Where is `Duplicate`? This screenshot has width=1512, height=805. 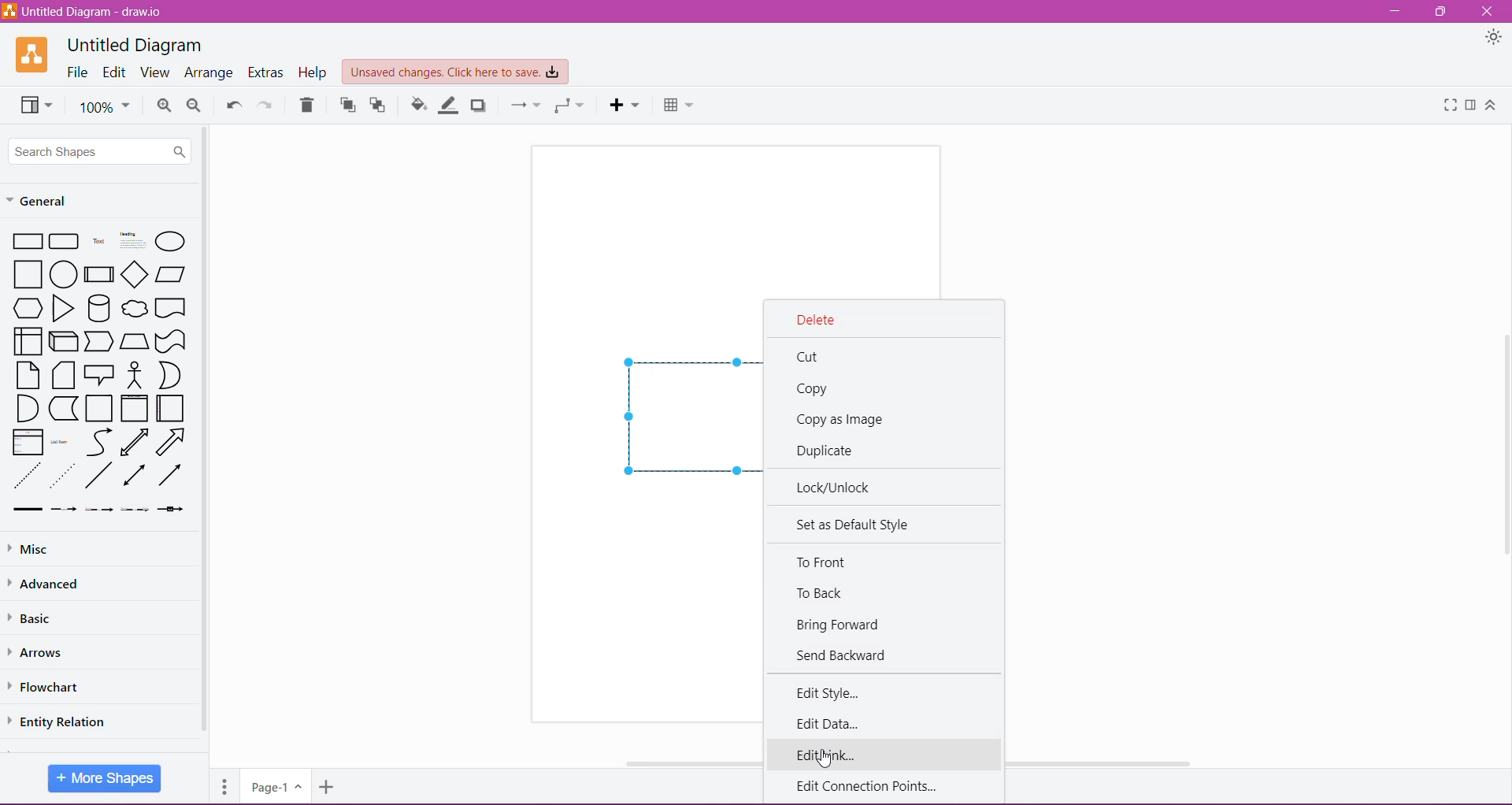 Duplicate is located at coordinates (830, 451).